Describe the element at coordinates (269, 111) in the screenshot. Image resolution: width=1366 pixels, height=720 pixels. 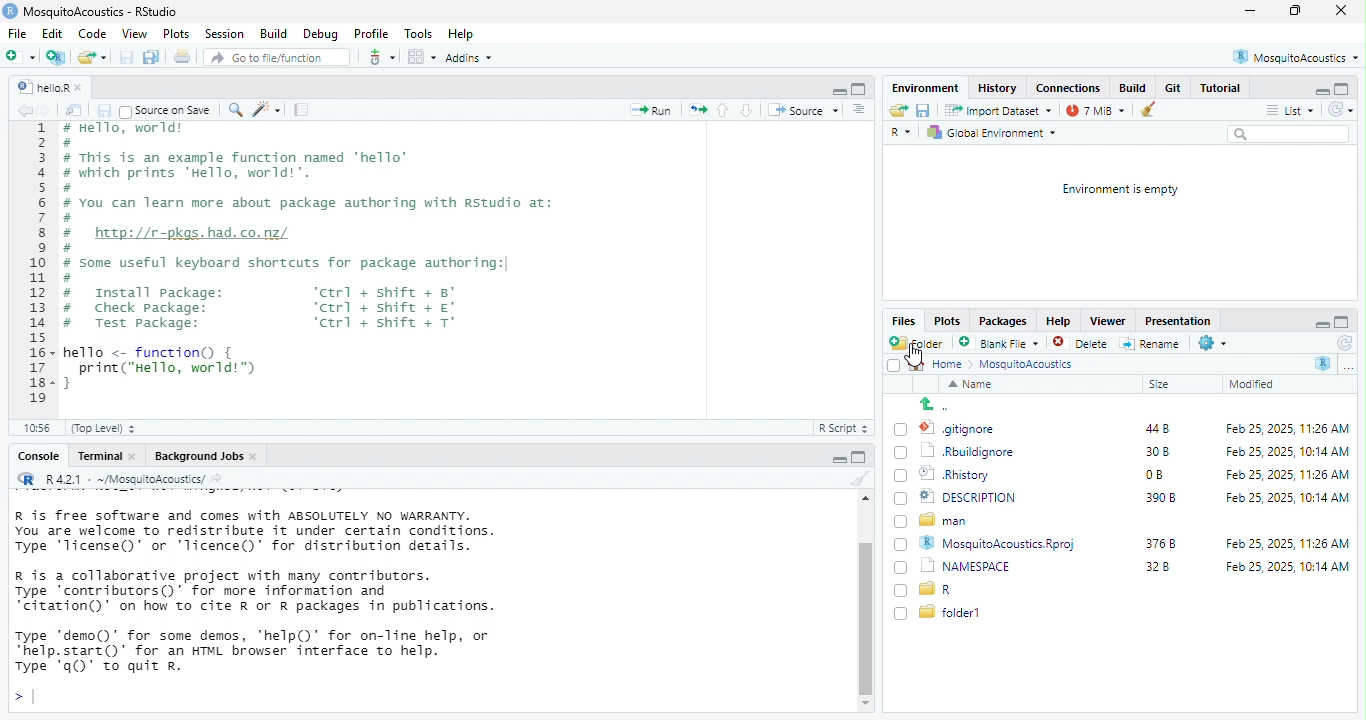
I see `code tools` at that location.